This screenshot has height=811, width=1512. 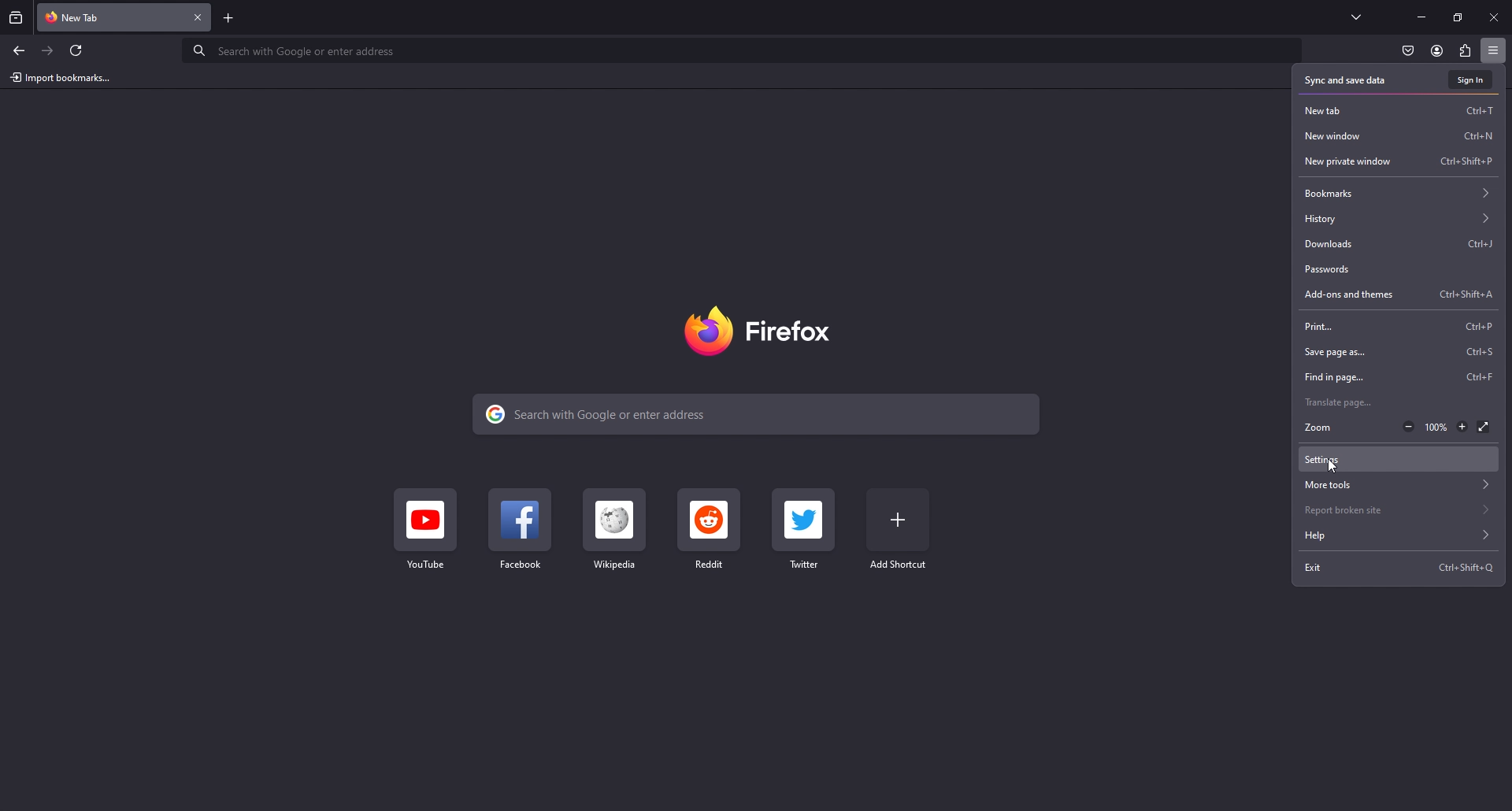 I want to click on search bar, so click(x=759, y=413).